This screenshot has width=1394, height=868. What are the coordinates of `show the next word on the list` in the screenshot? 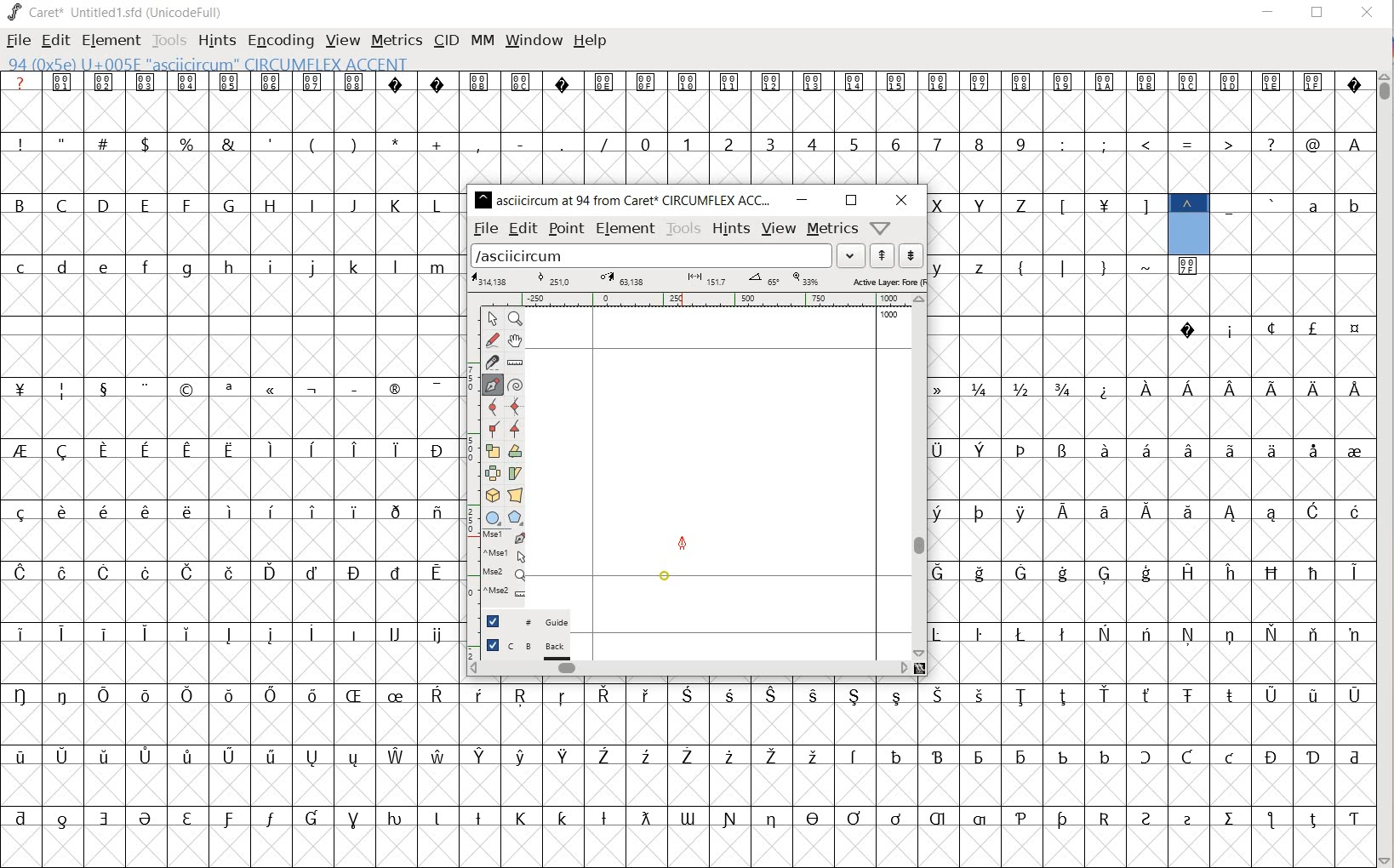 It's located at (883, 257).